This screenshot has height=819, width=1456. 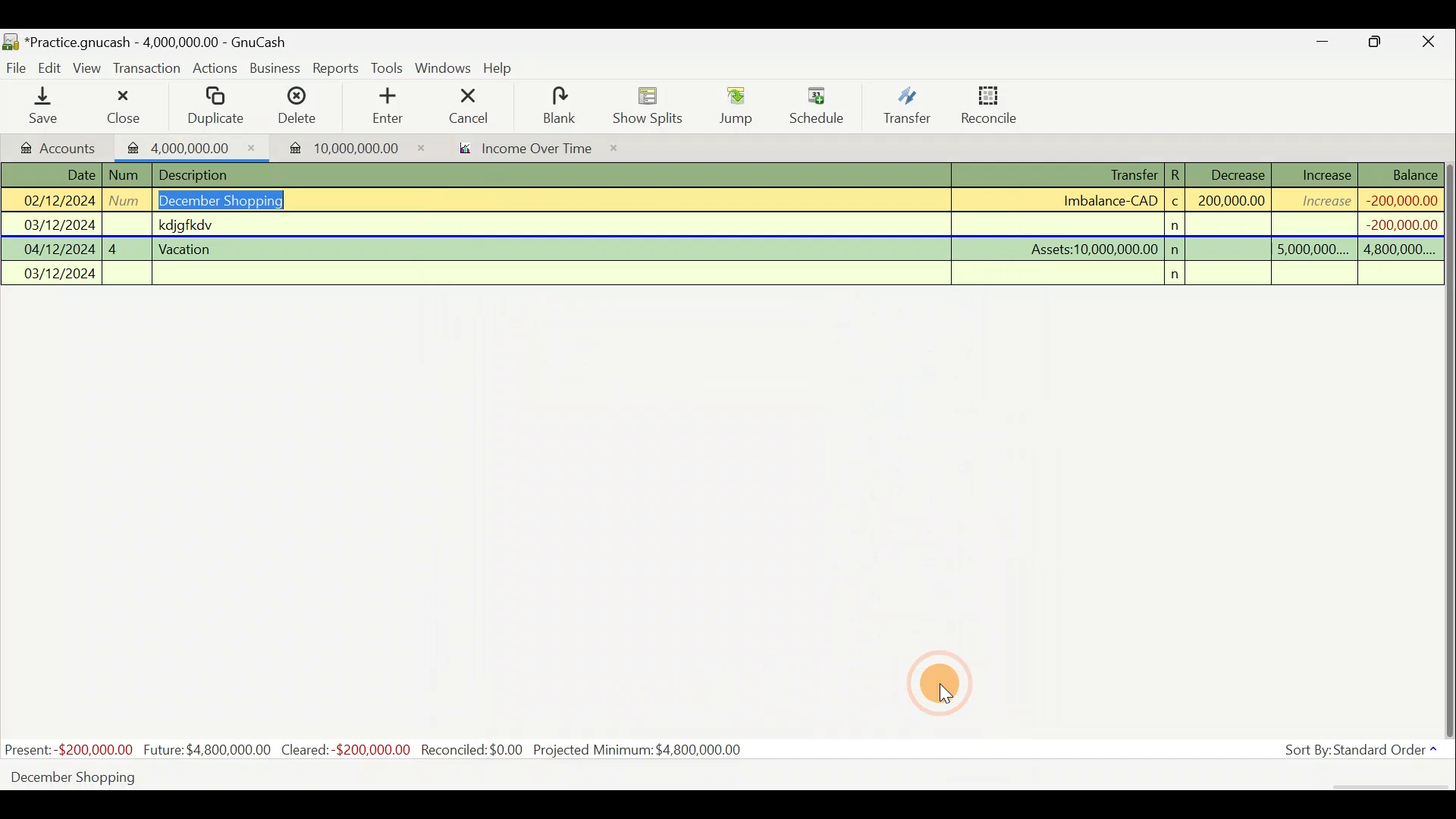 I want to click on Jump, so click(x=731, y=105).